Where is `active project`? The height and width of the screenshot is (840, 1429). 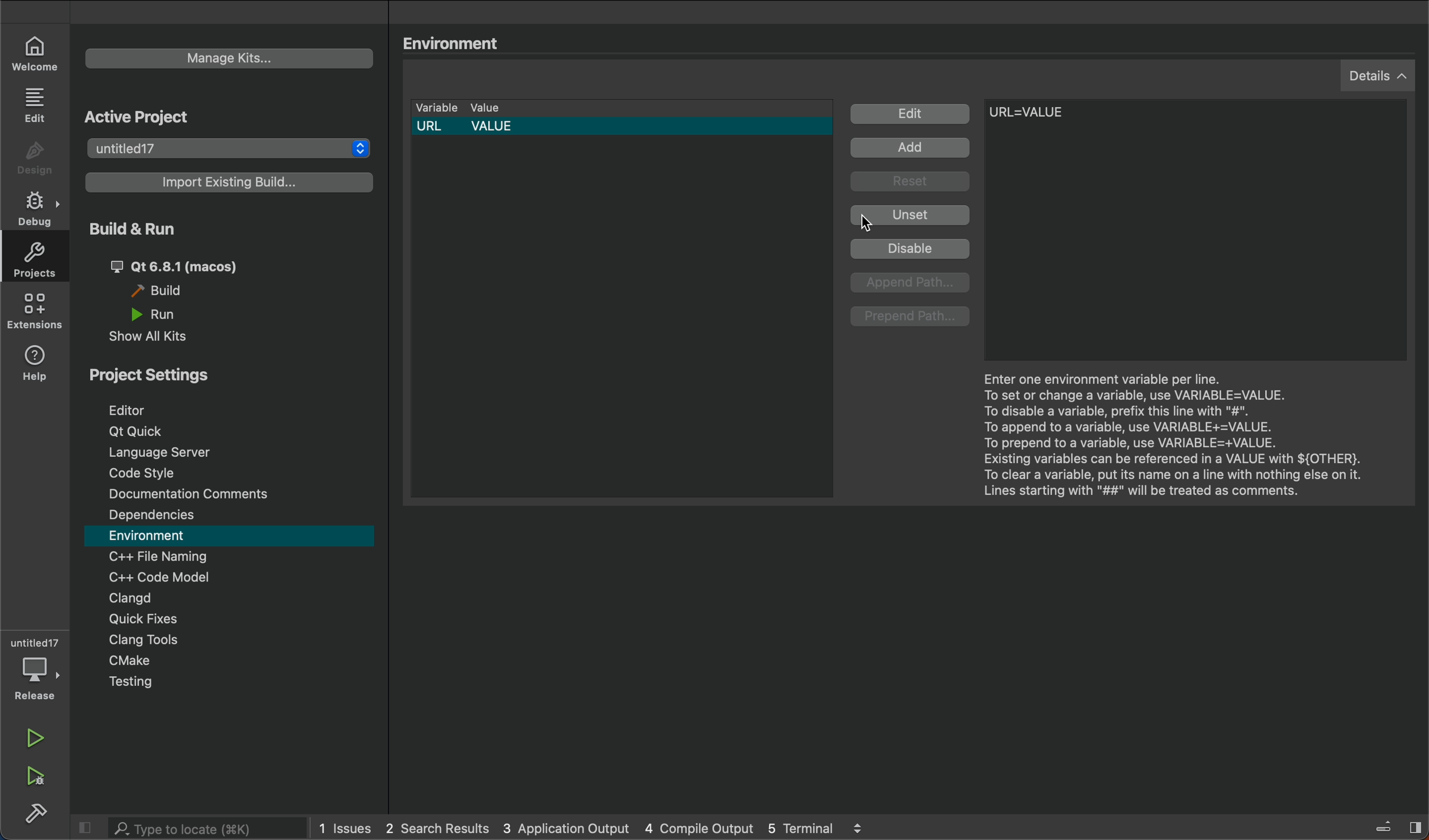
active project is located at coordinates (150, 120).